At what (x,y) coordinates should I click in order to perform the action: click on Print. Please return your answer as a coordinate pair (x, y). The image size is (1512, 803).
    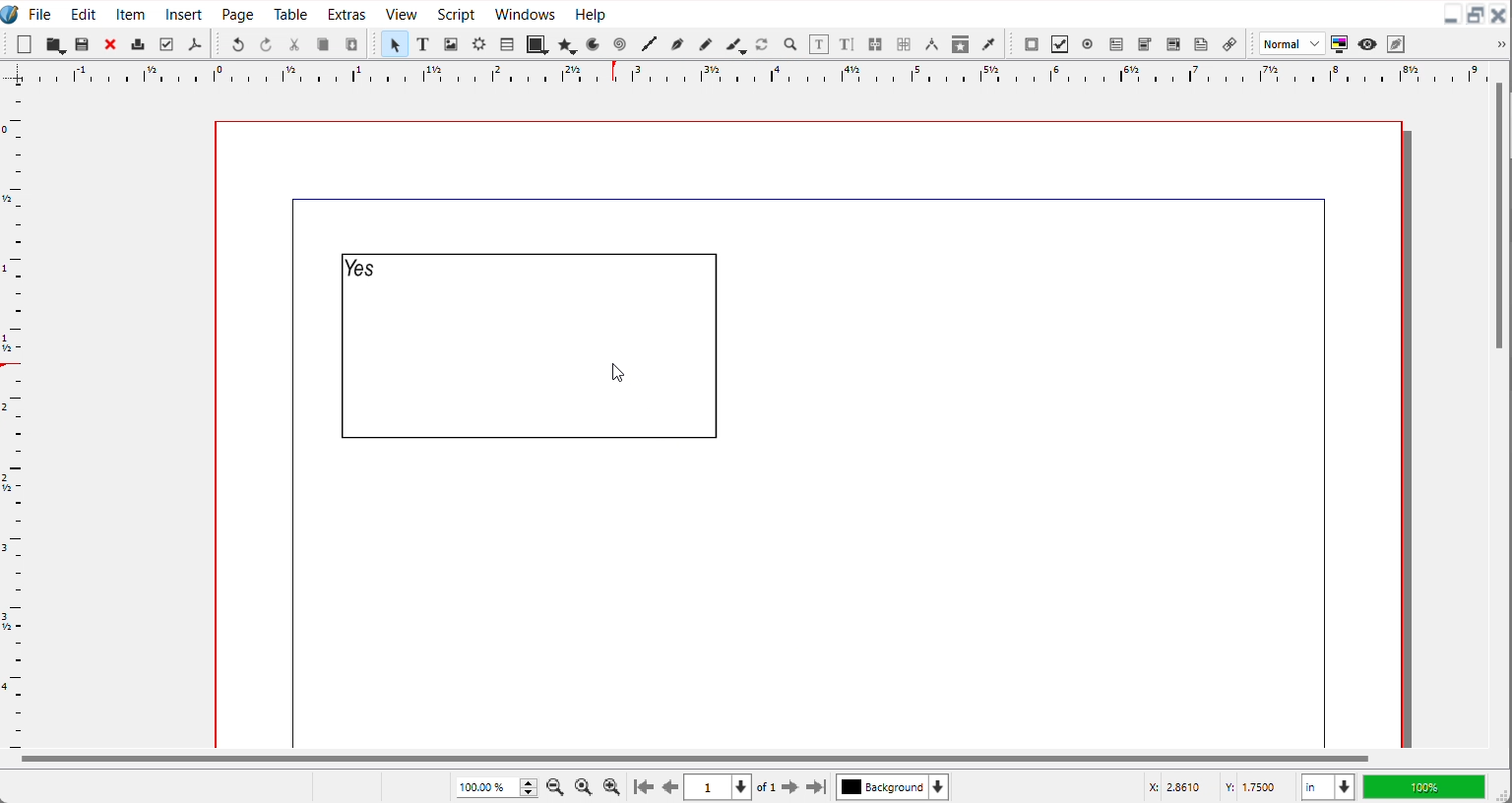
    Looking at the image, I should click on (139, 43).